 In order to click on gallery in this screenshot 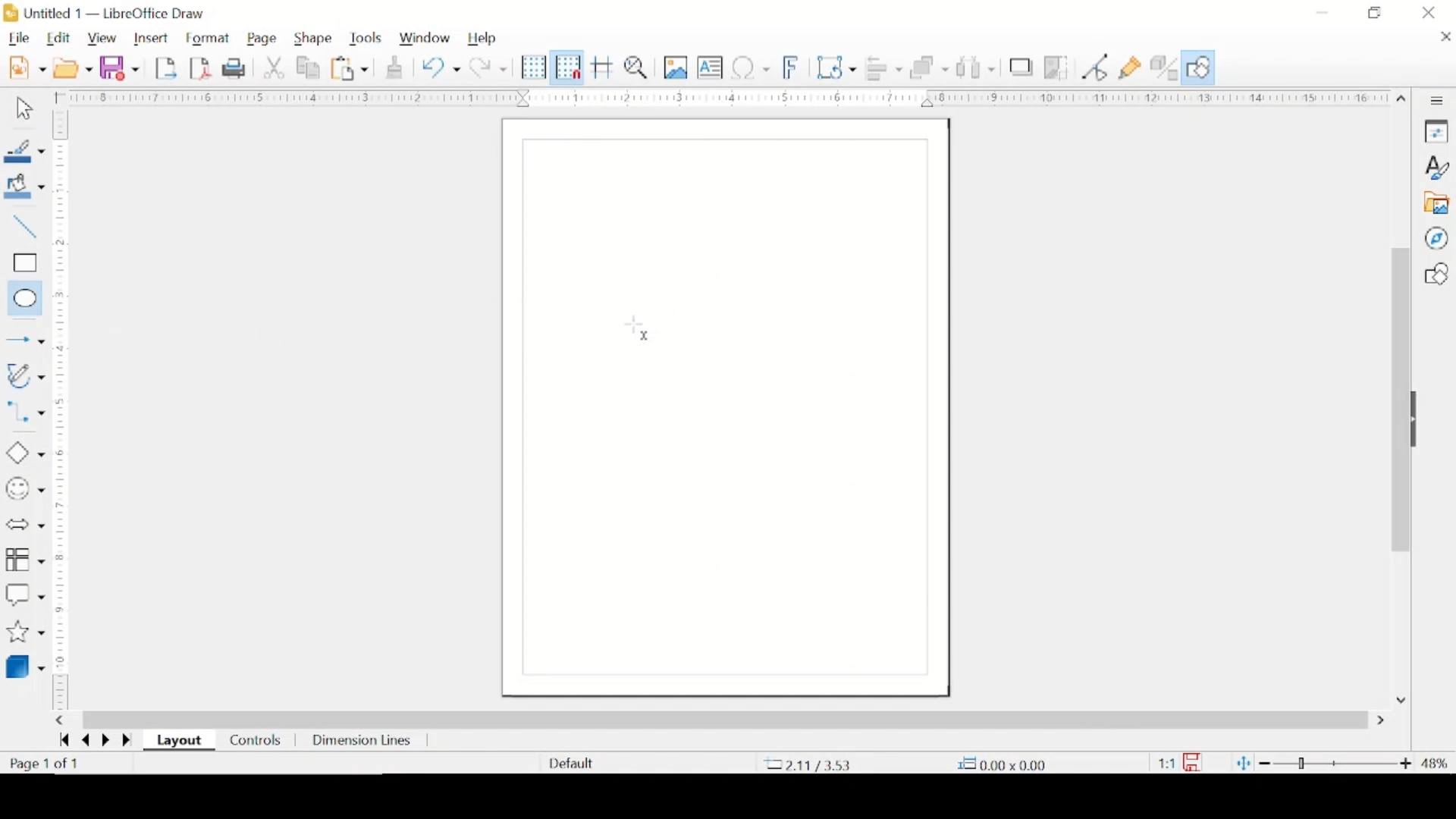, I will do `click(1439, 203)`.